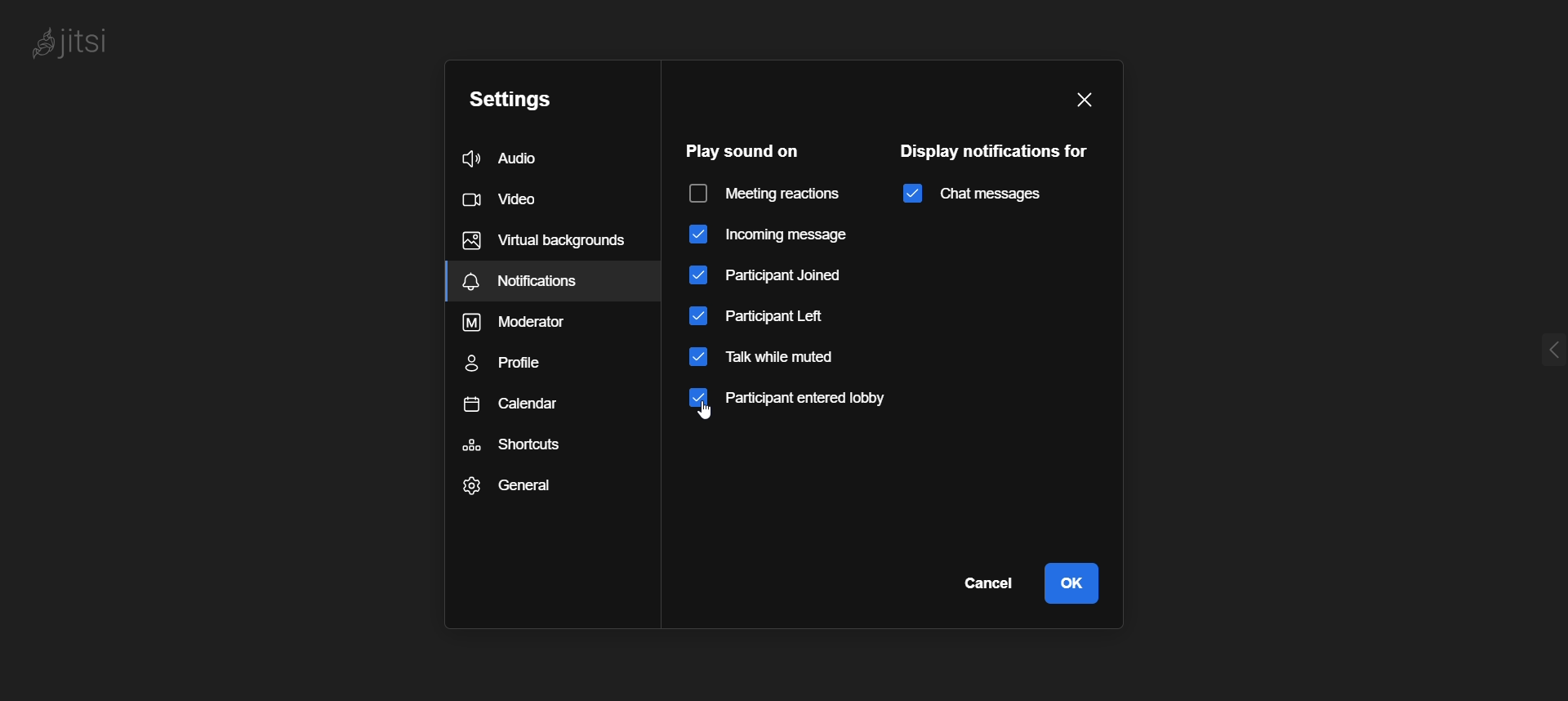  What do you see at coordinates (527, 323) in the screenshot?
I see `Moderator` at bounding box center [527, 323].